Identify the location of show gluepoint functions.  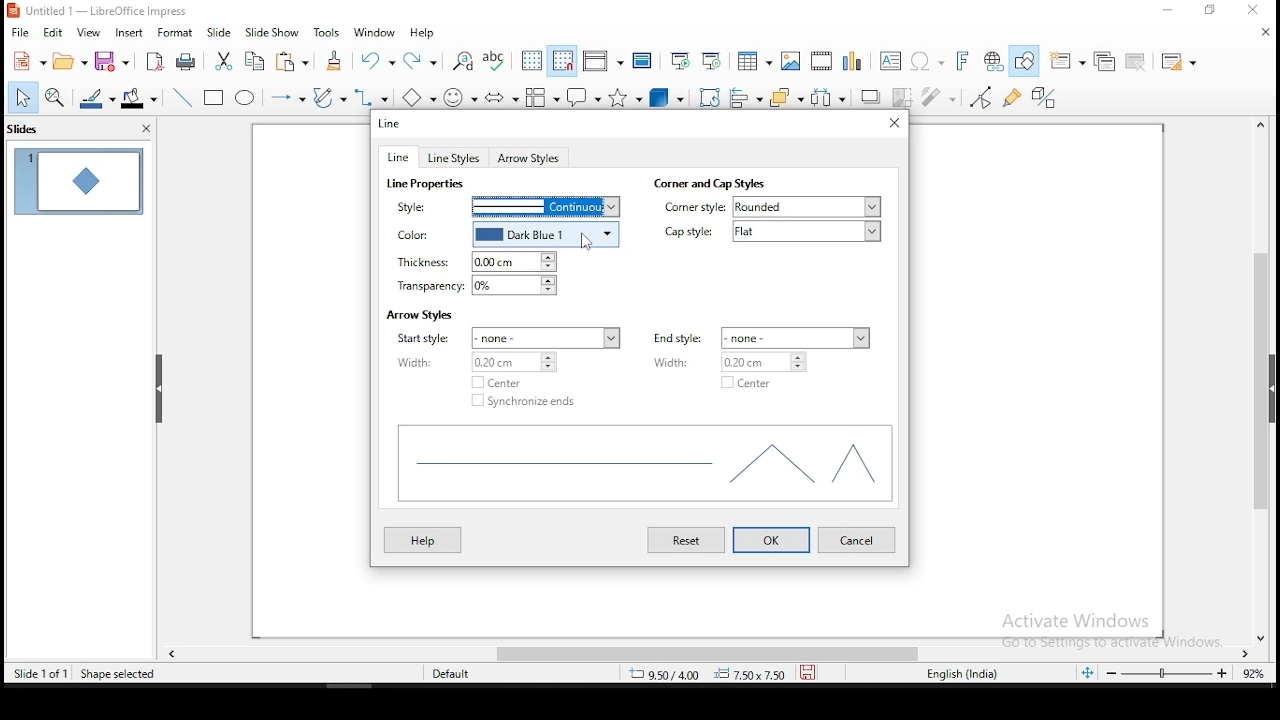
(1013, 98).